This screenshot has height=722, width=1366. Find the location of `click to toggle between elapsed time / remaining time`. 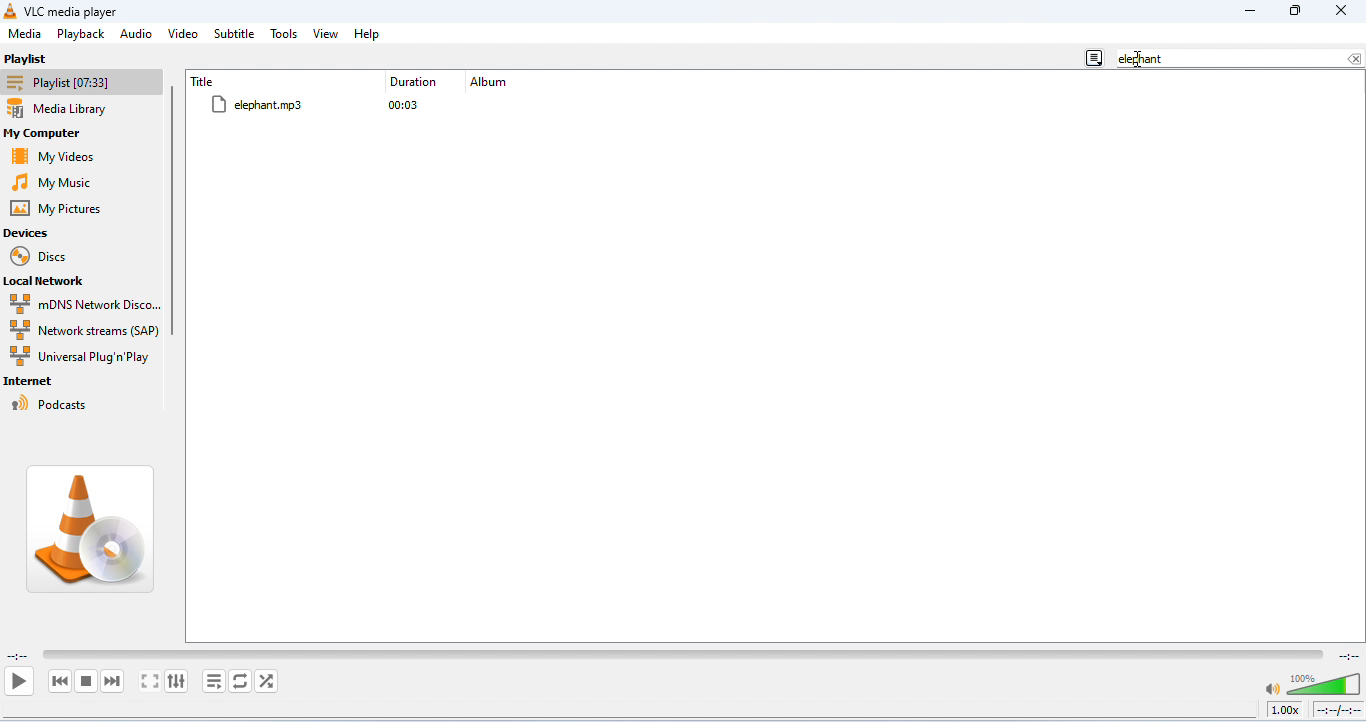

click to toggle between elapsed time / remaining time is located at coordinates (1337, 710).